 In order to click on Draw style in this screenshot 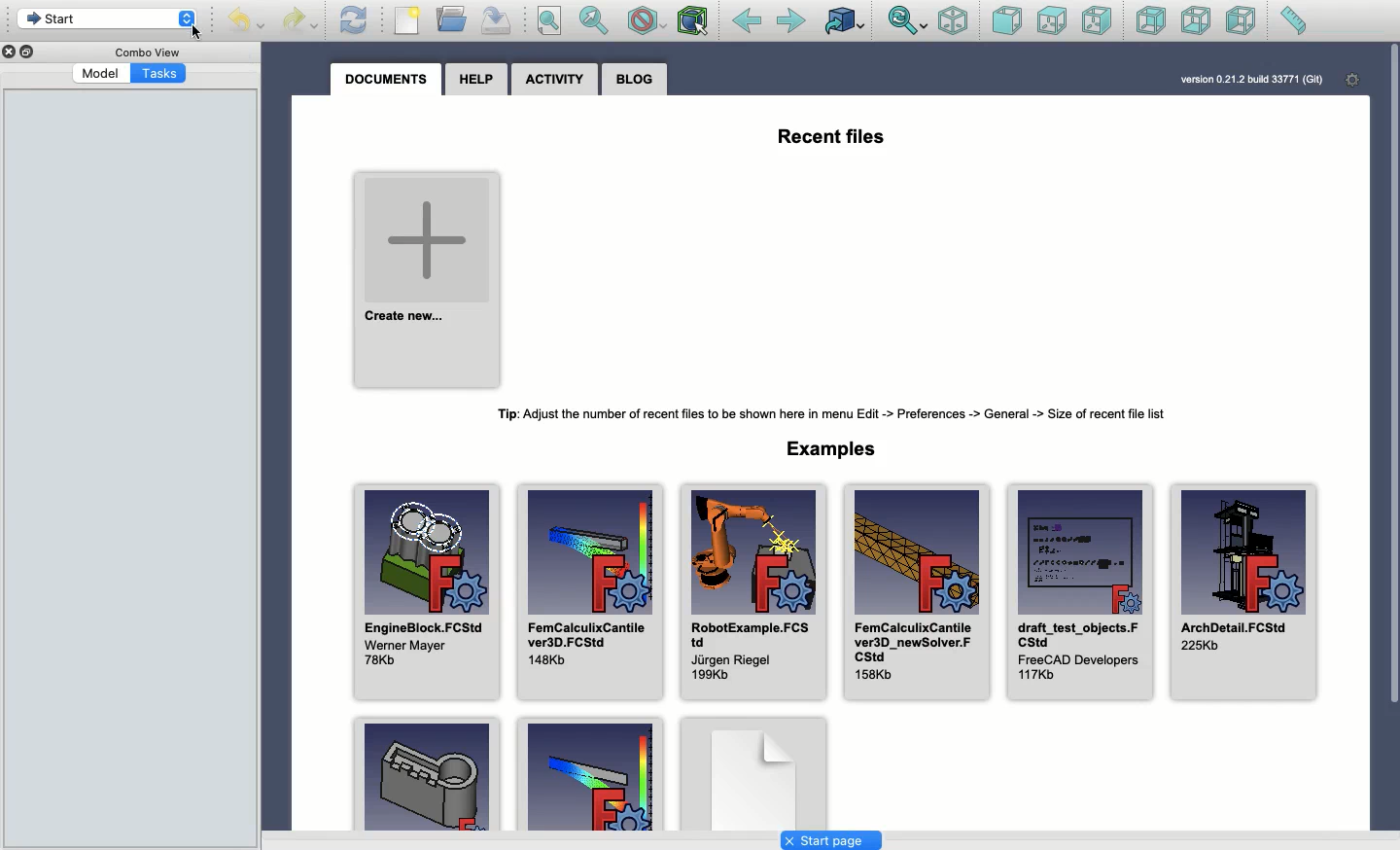, I will do `click(646, 21)`.